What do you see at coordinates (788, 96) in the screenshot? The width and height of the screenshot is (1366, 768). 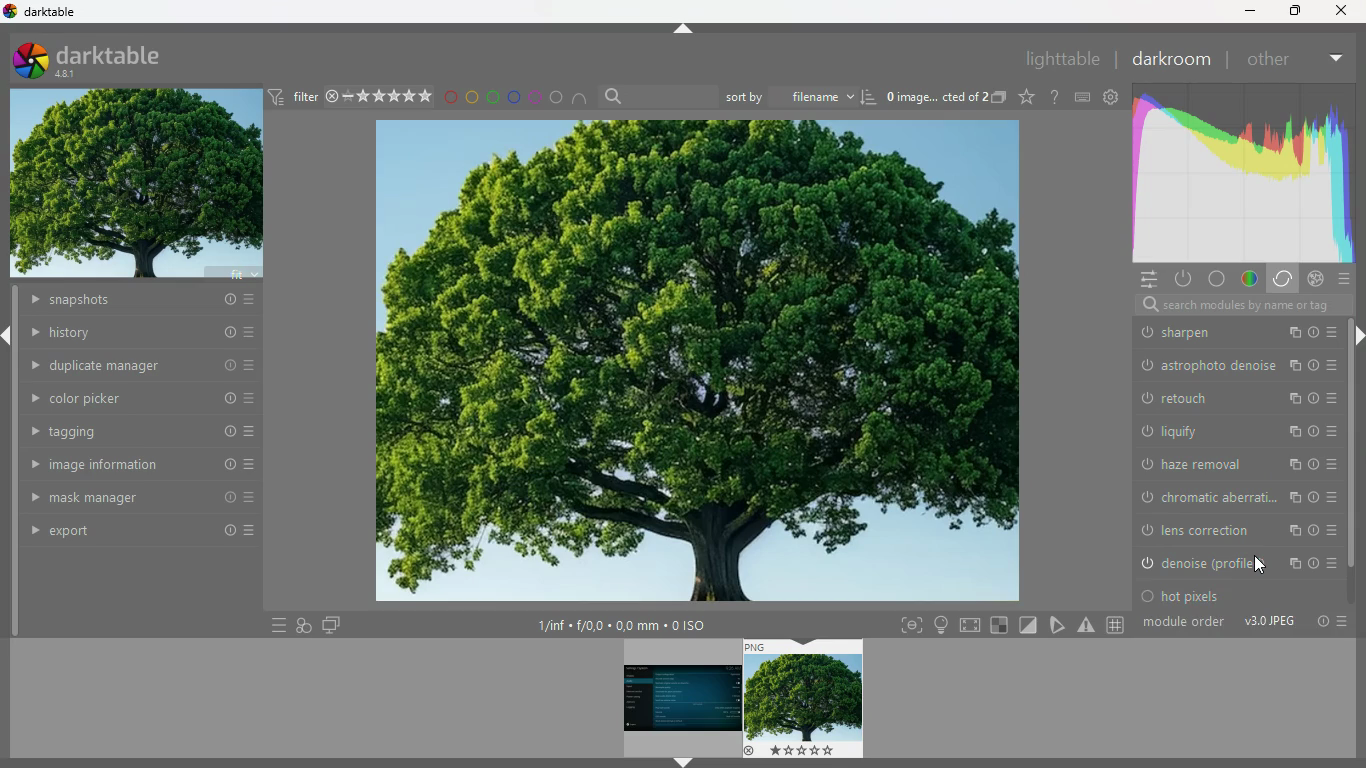 I see `sort by filename` at bounding box center [788, 96].